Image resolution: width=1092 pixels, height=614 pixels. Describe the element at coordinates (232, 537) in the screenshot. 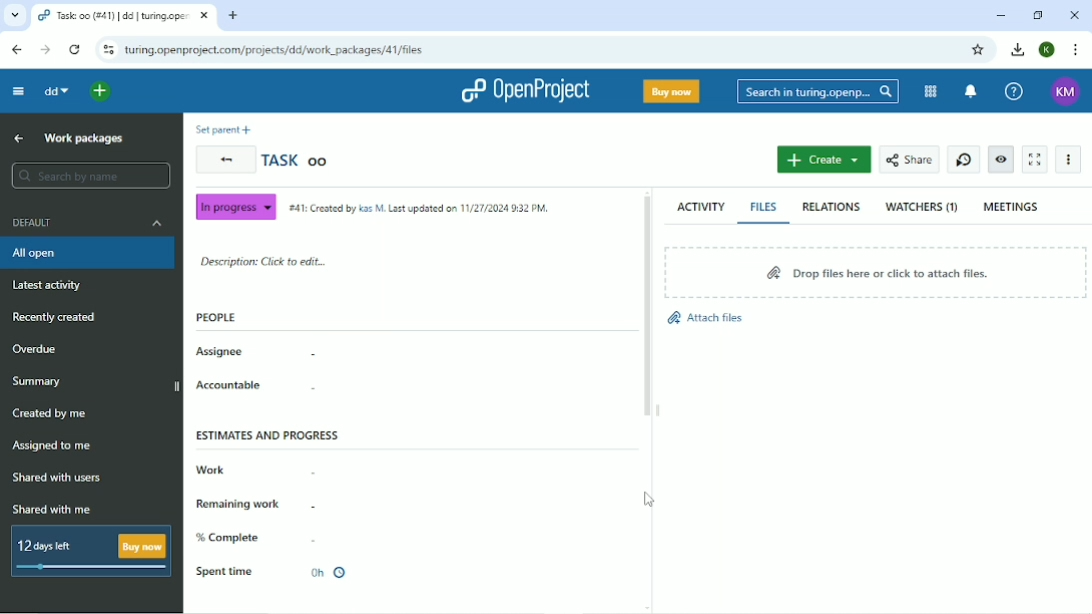

I see `% Complete` at that location.